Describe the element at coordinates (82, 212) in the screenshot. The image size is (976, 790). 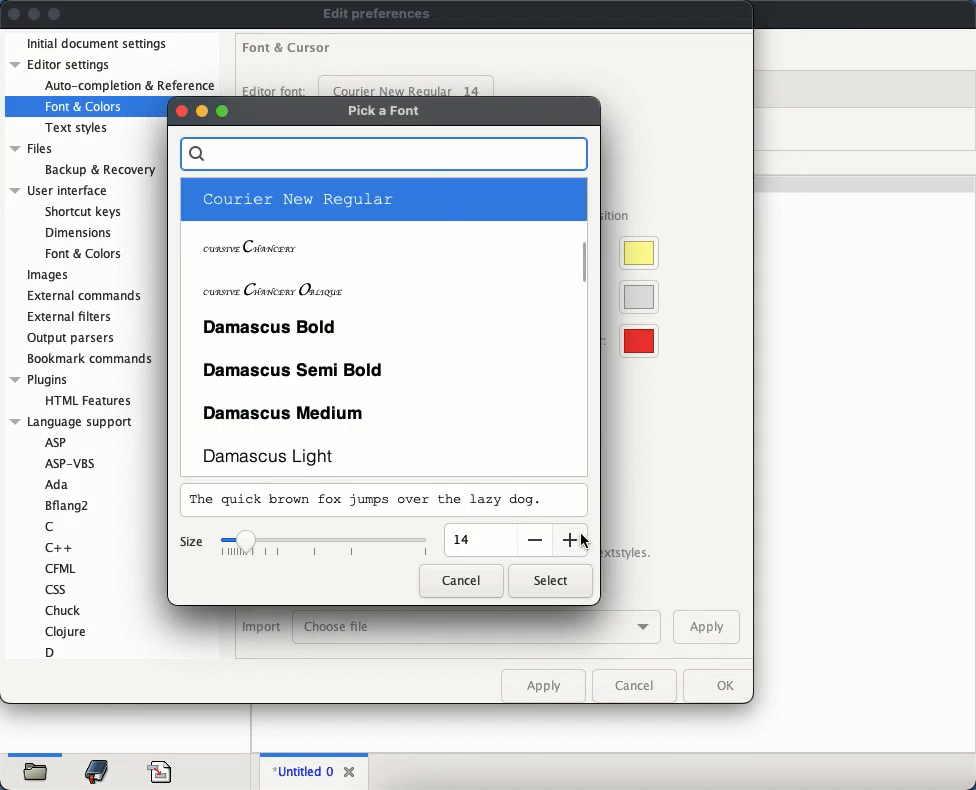
I see `shortcut keys` at that location.